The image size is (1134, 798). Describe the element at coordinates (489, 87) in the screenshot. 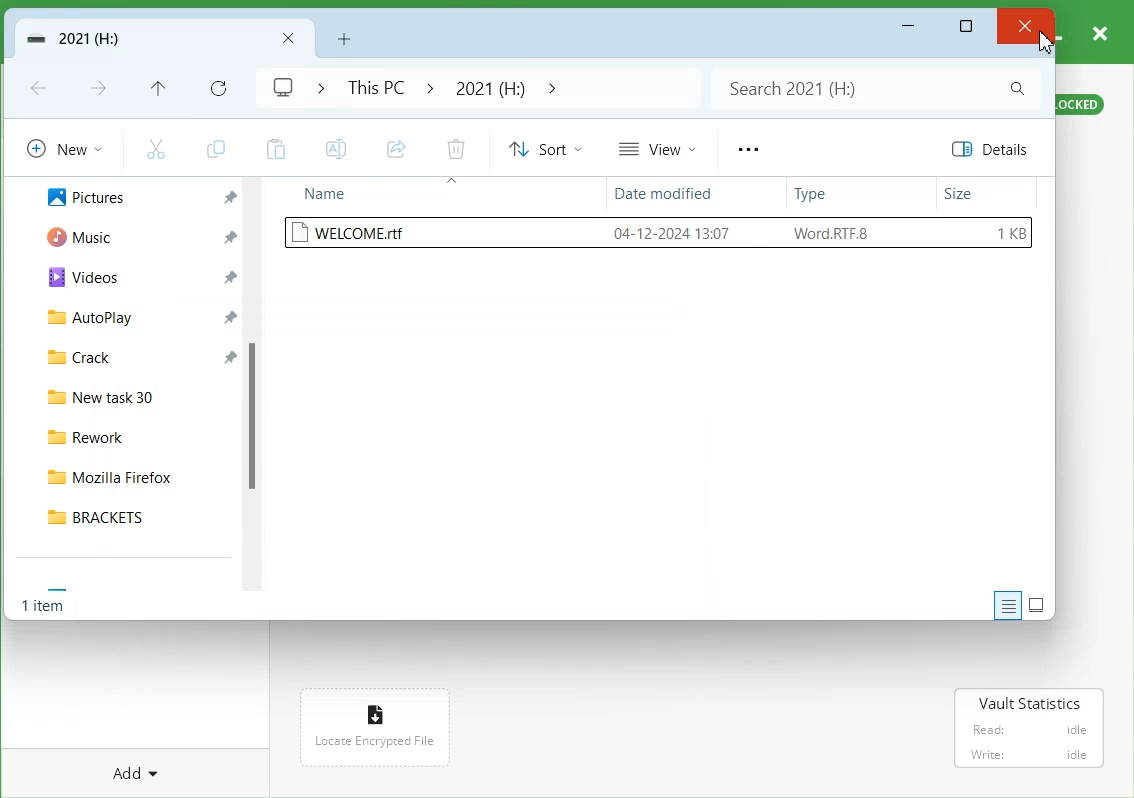

I see `2021 (H:)` at that location.